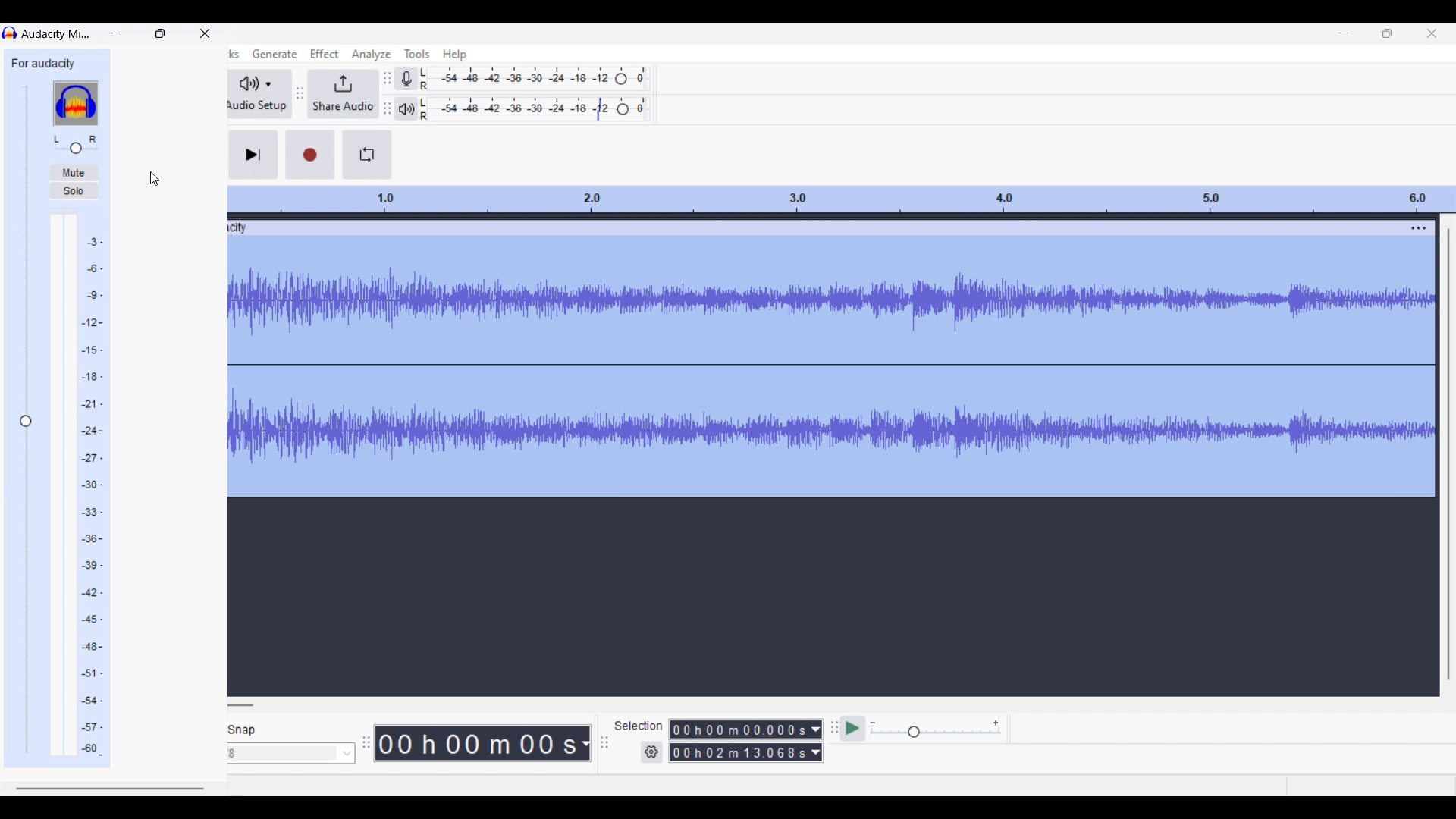  I want to click on Mute, so click(73, 173).